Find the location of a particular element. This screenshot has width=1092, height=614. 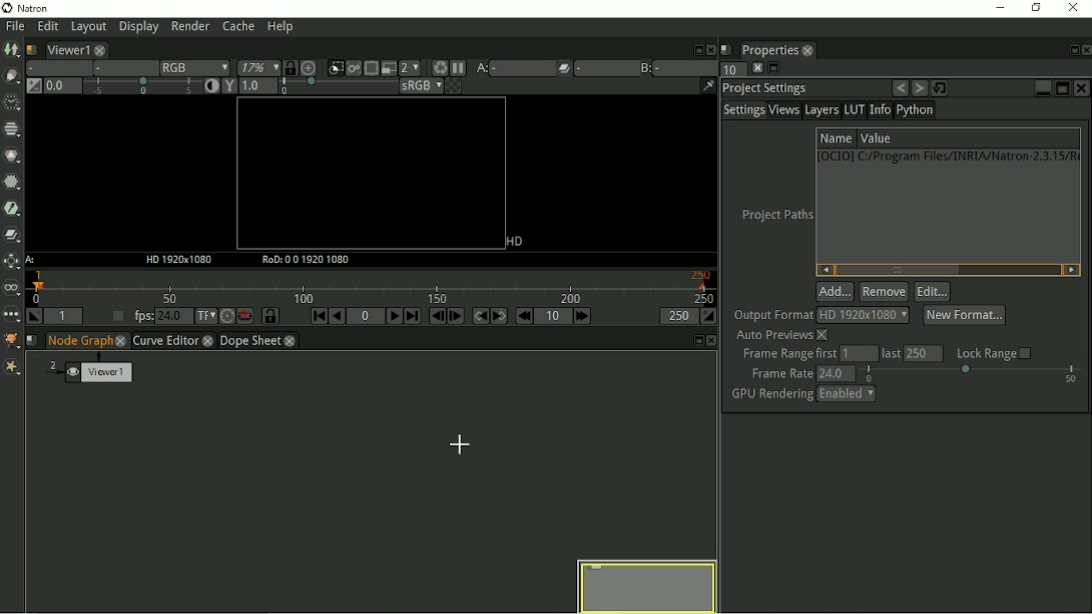

Alpha channel is located at coordinates (121, 69).